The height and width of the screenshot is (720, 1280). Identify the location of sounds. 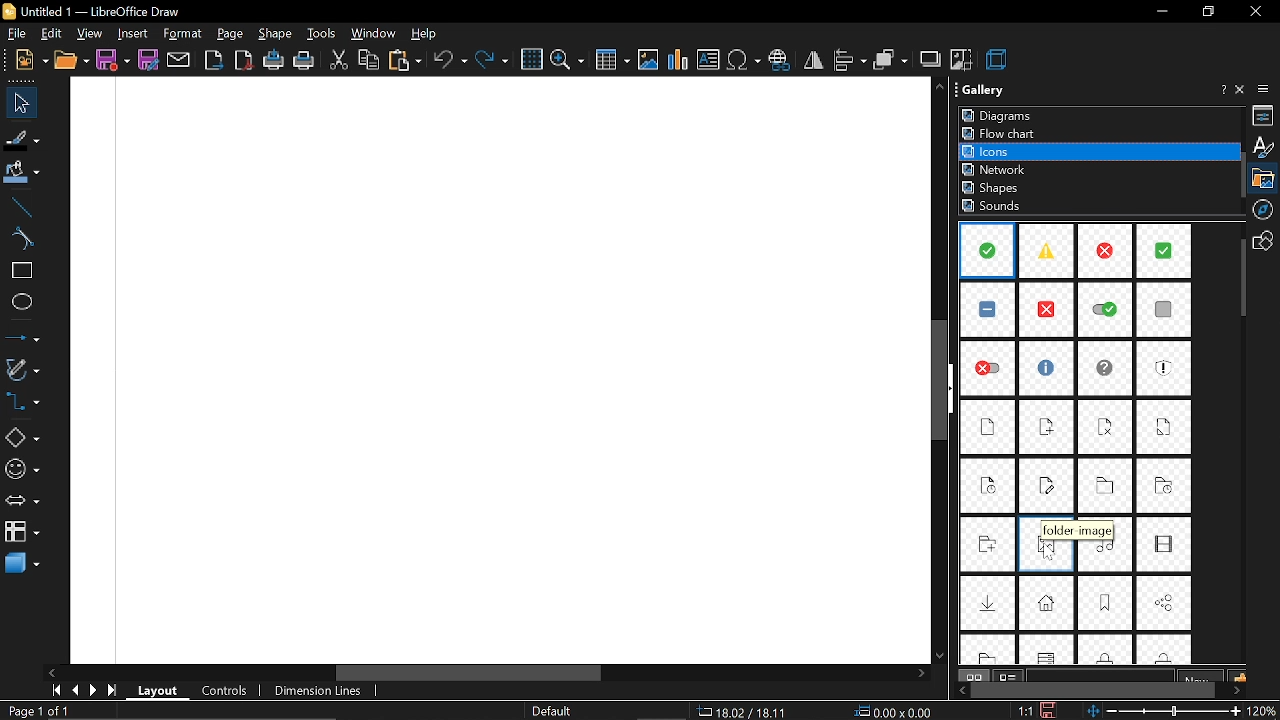
(994, 207).